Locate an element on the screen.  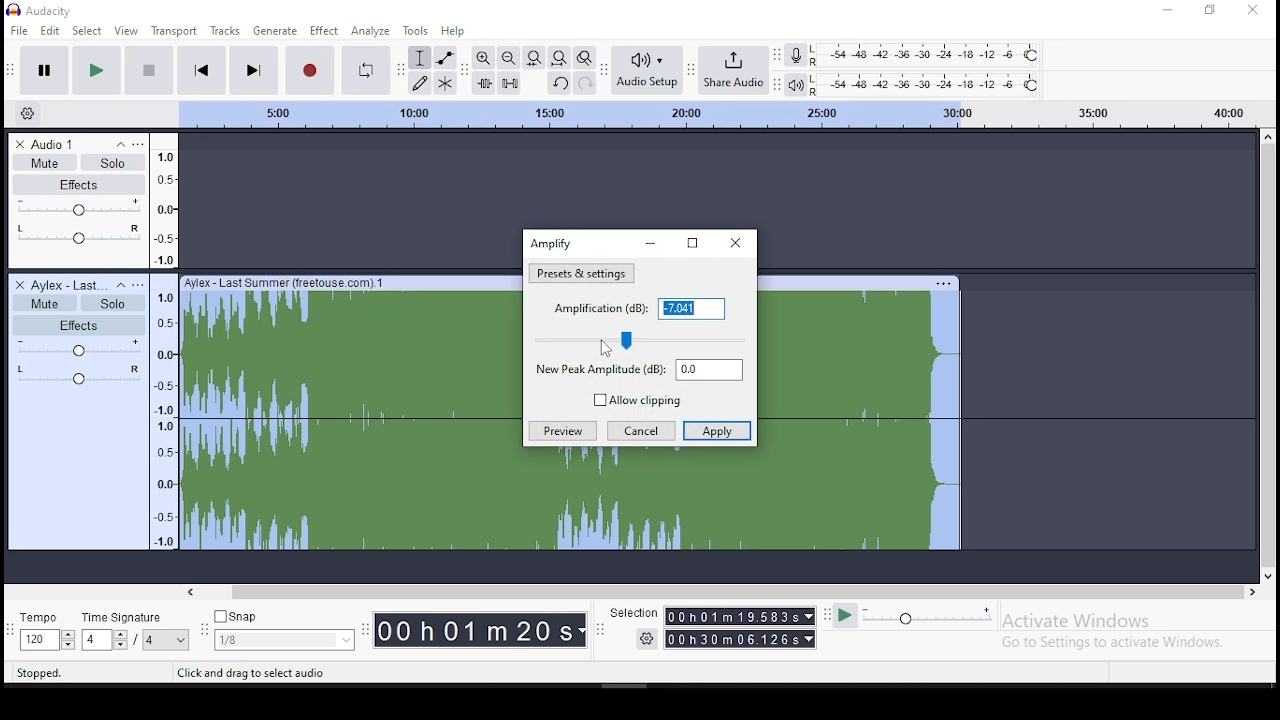
restore is located at coordinates (692, 242).